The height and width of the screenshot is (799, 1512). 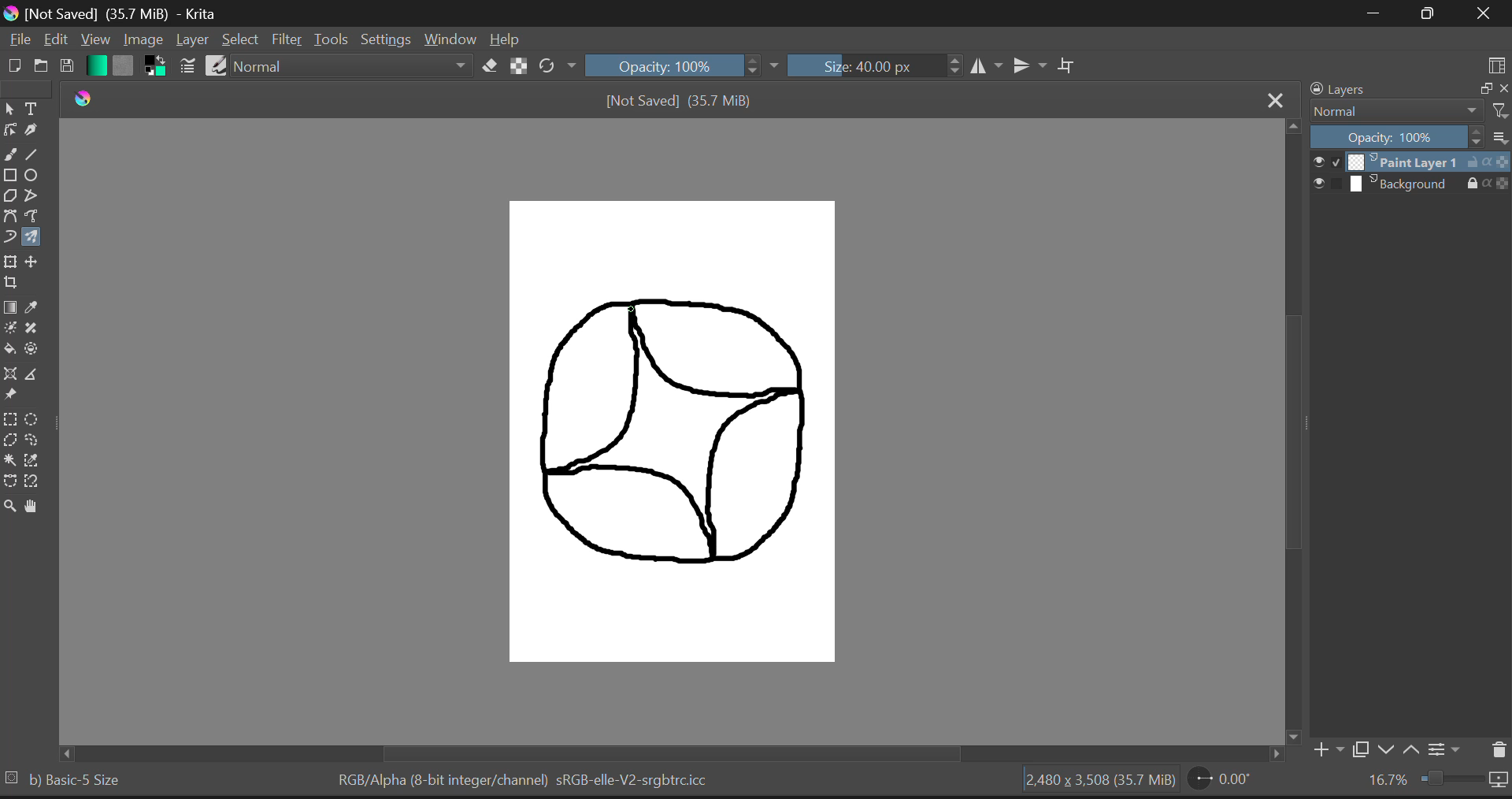 I want to click on Settings, so click(x=387, y=40).